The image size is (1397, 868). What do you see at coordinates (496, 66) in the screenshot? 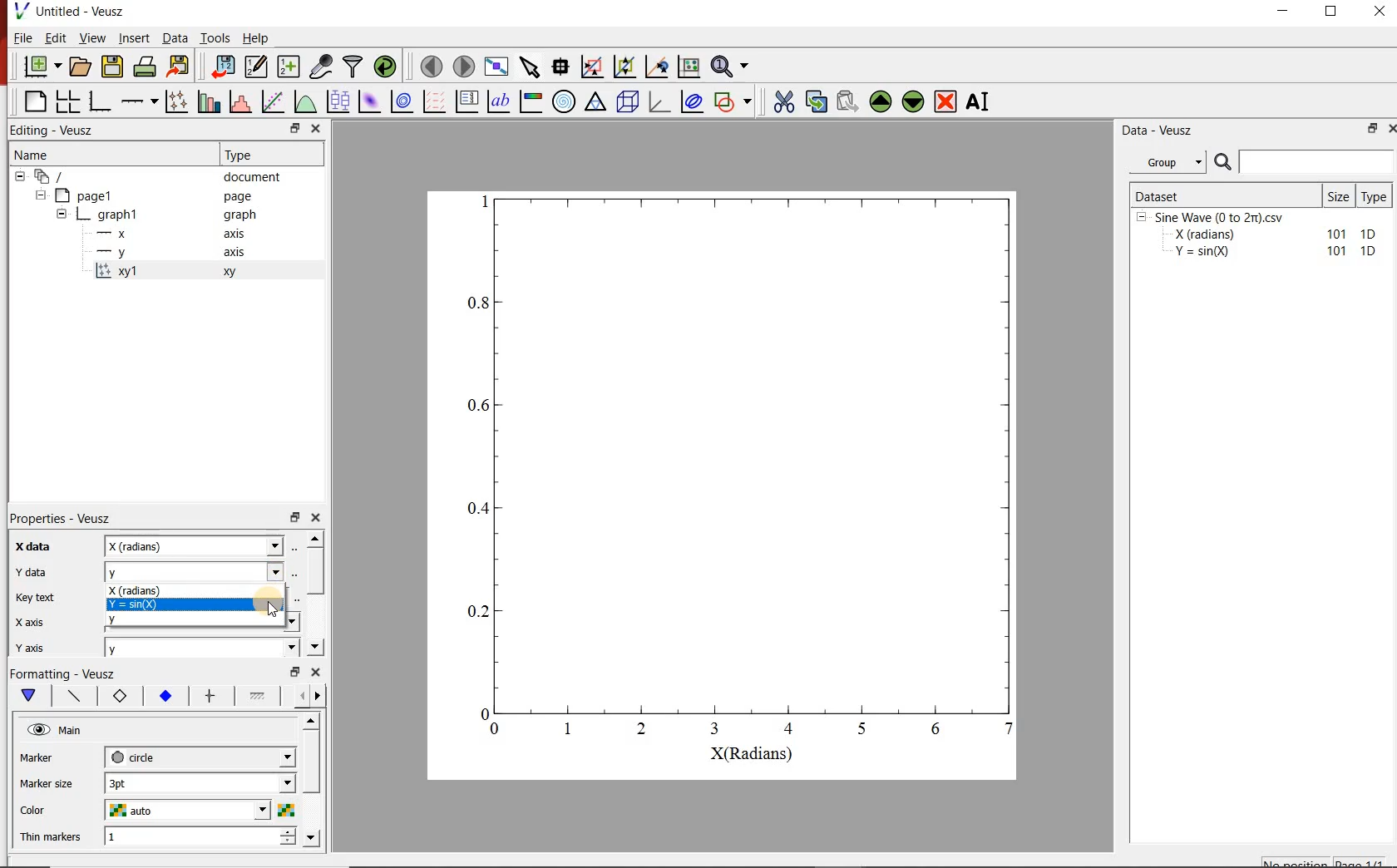
I see `view plot full screen` at bounding box center [496, 66].